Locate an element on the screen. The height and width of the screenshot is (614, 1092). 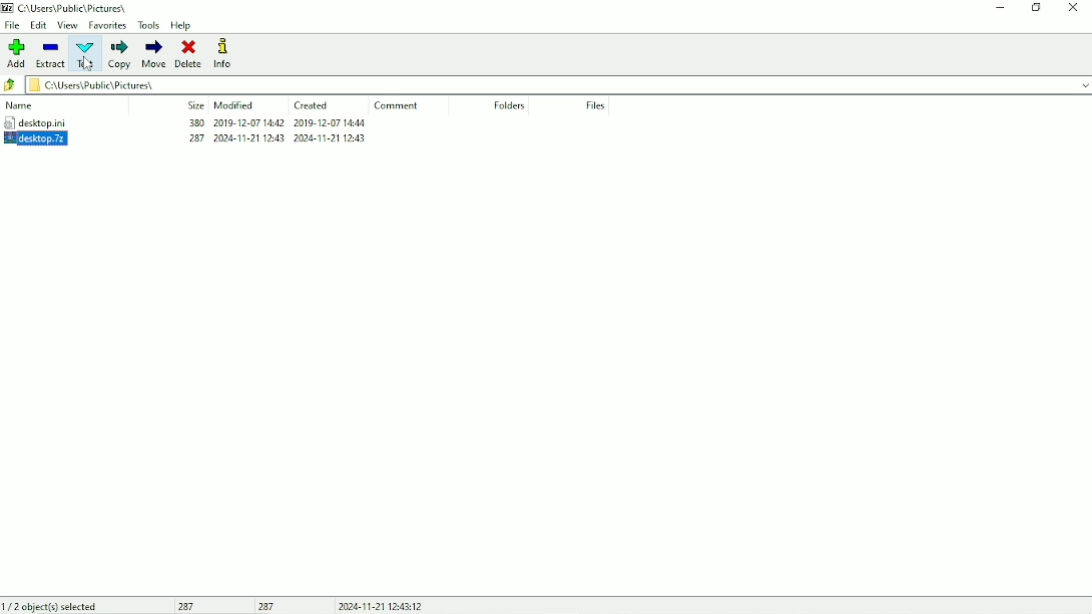
Help is located at coordinates (182, 25).